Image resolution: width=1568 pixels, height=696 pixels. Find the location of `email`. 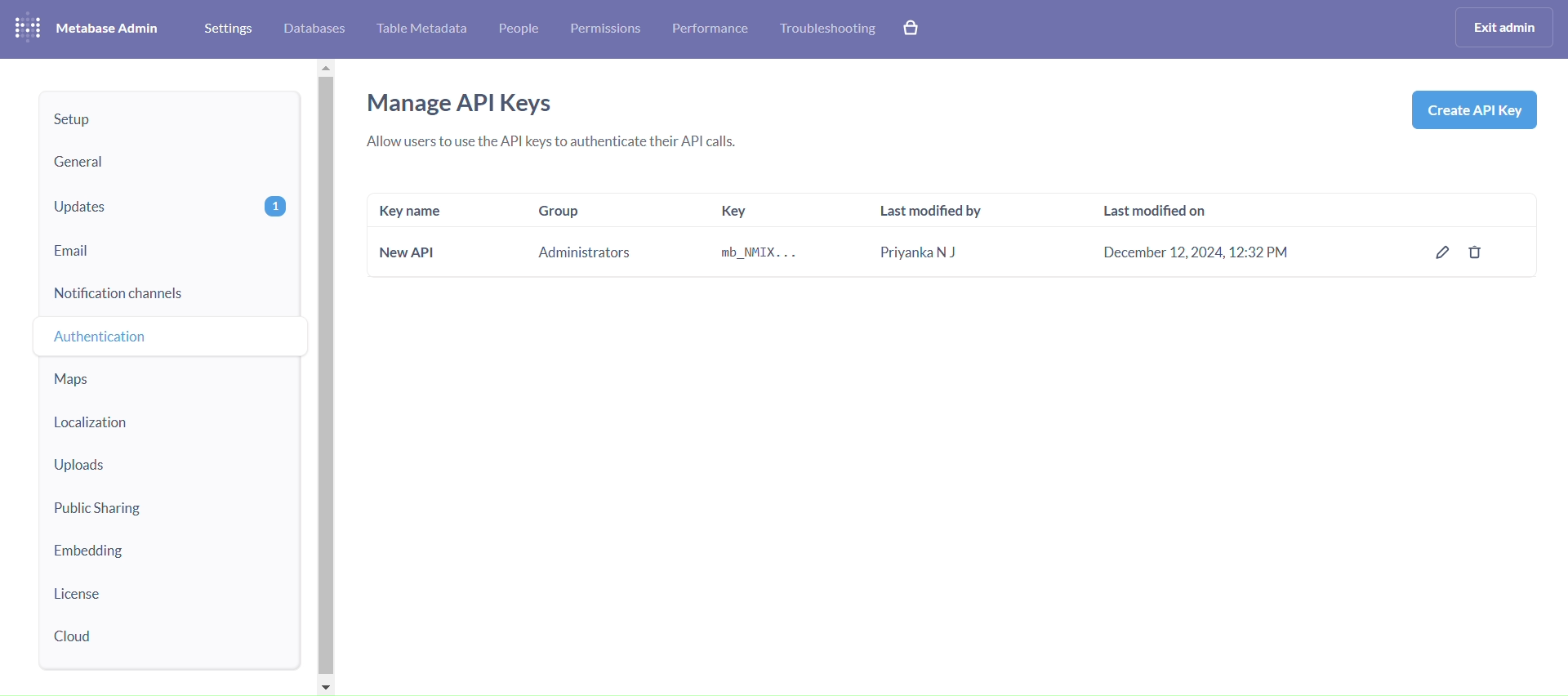

email is located at coordinates (168, 248).